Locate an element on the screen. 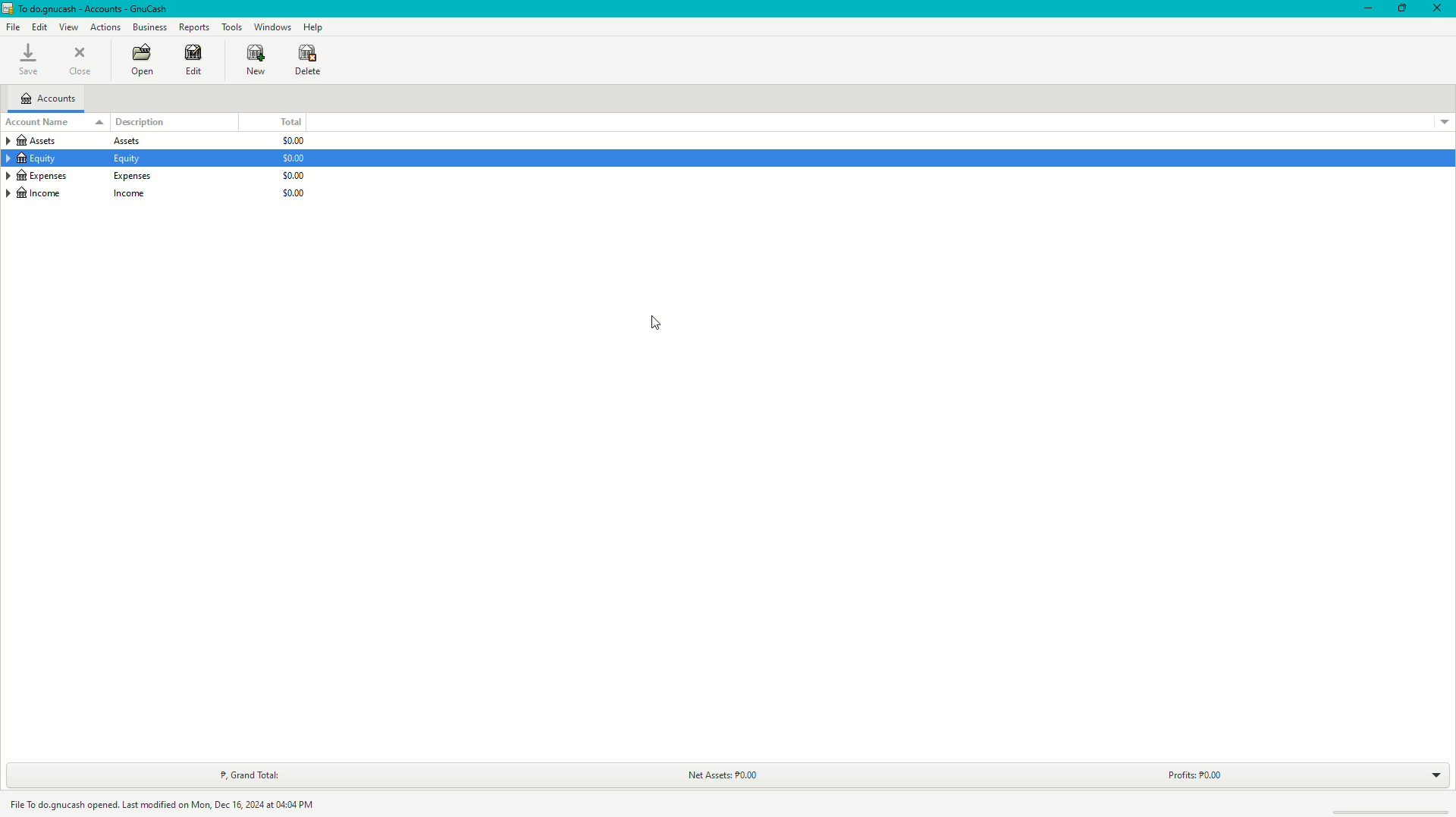 The width and height of the screenshot is (1456, 817). New is located at coordinates (256, 60).